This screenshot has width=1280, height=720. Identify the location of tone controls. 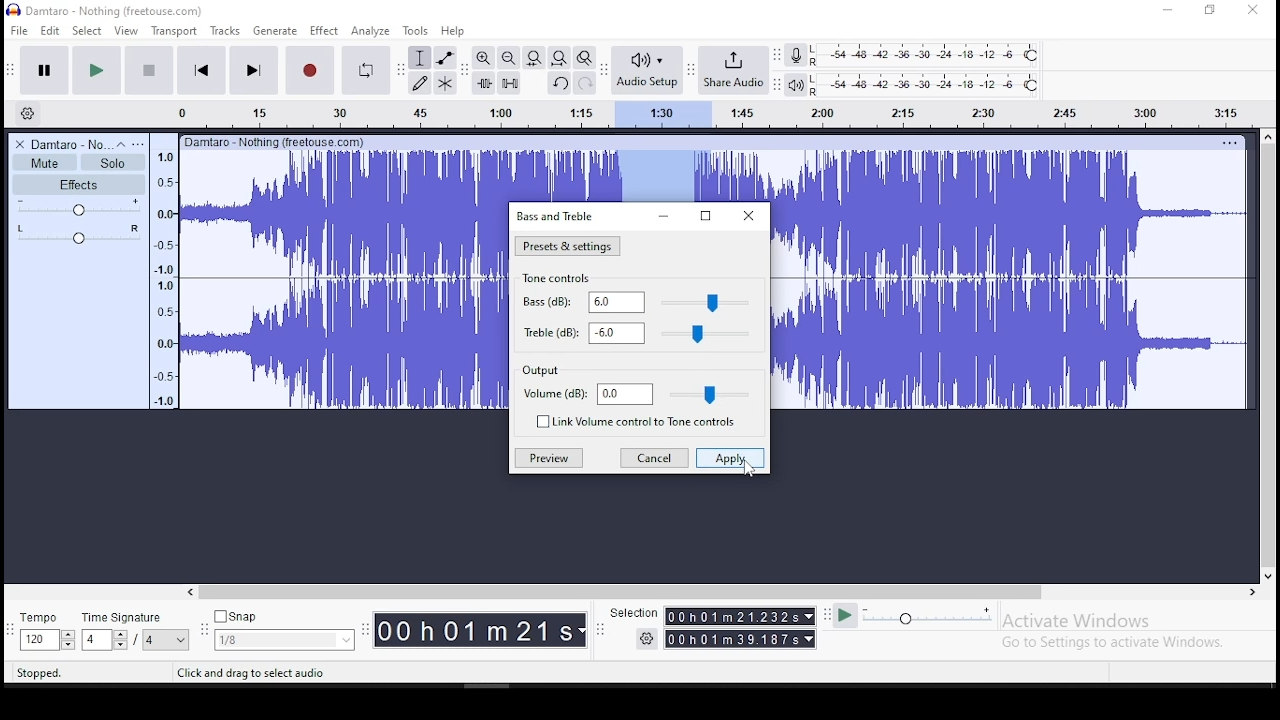
(560, 279).